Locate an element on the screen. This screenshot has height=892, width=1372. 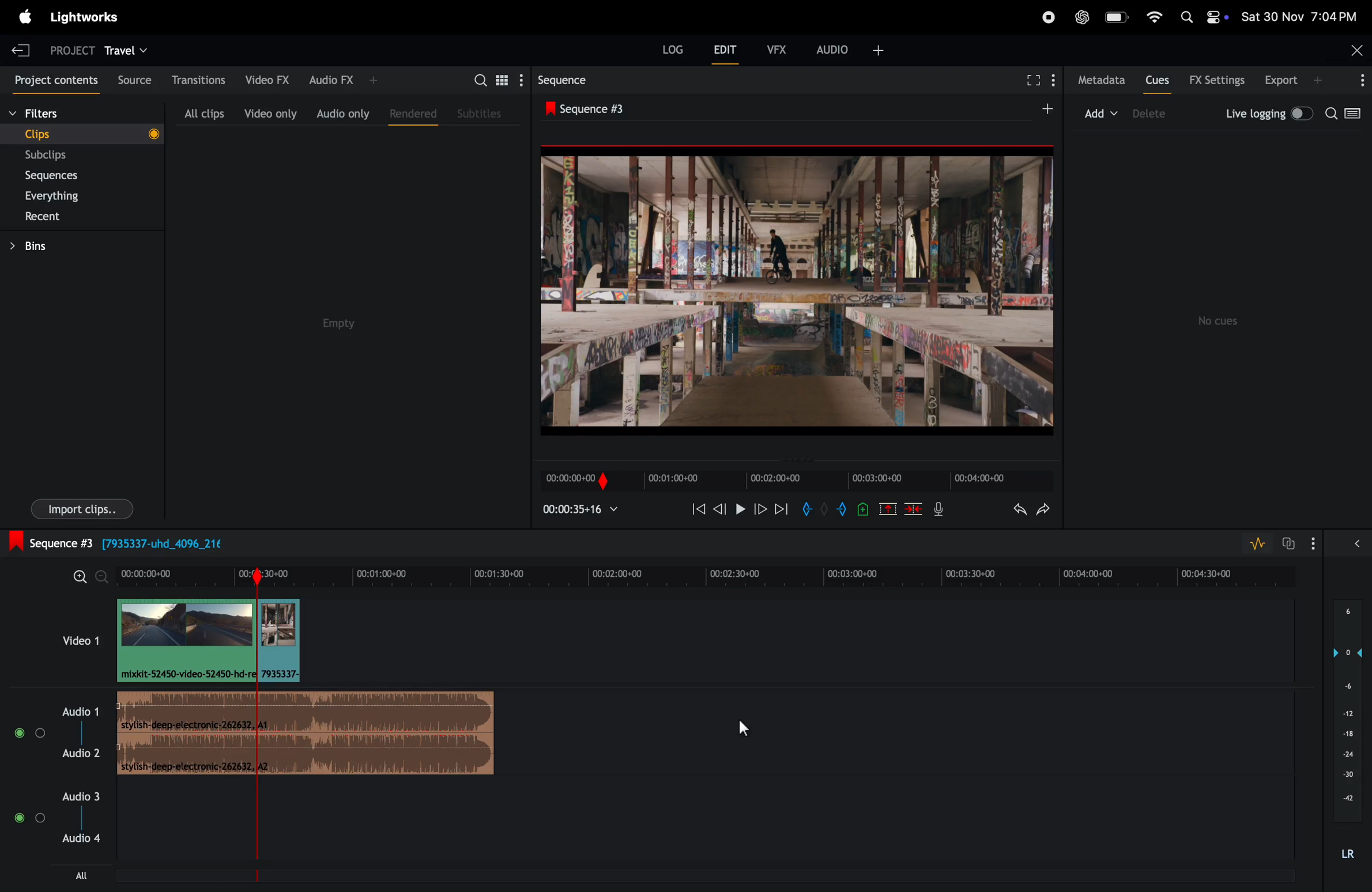
fx settings is located at coordinates (1217, 80).